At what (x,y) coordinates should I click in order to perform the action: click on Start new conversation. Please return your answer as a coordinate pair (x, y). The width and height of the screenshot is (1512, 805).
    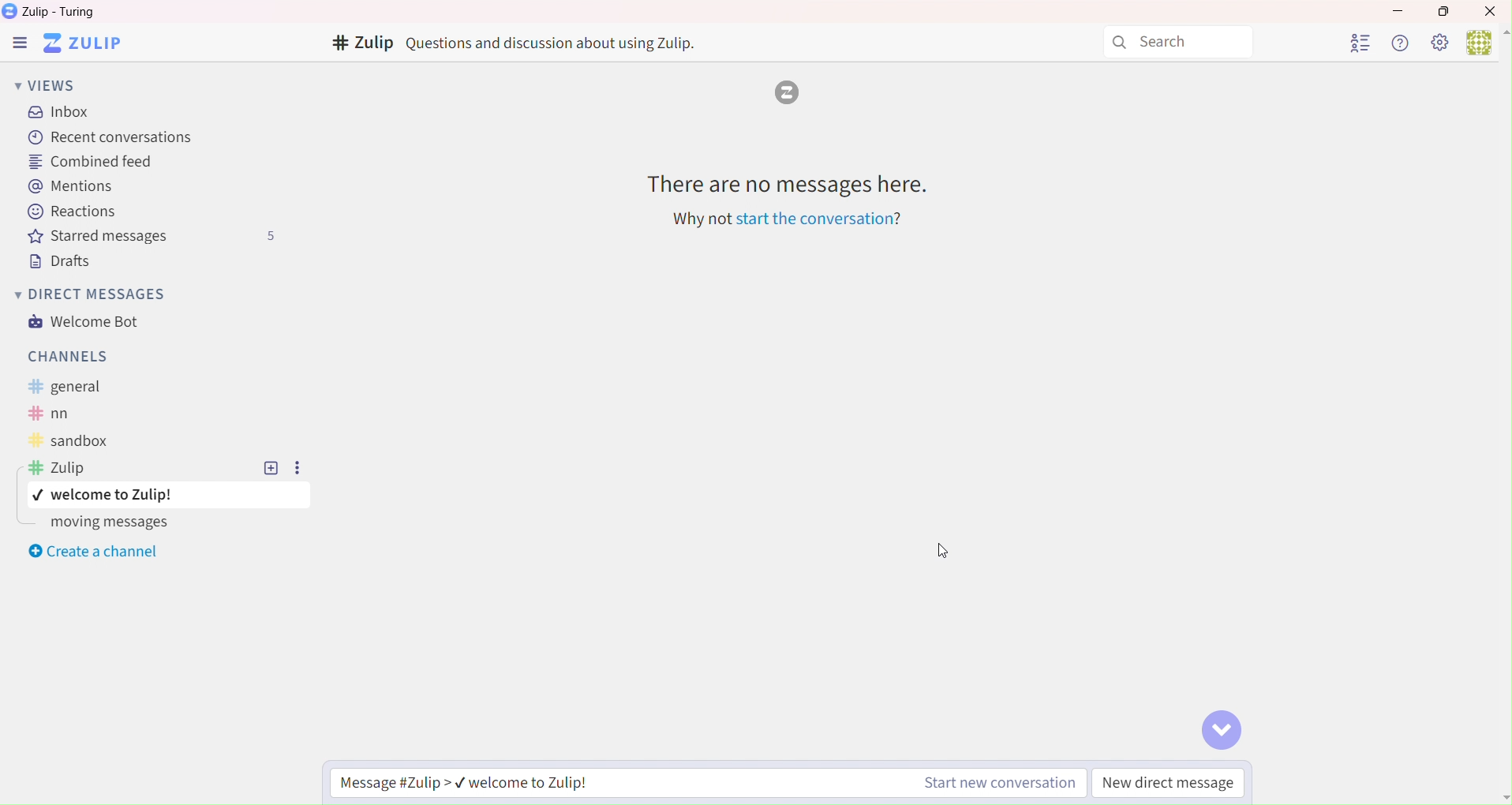
    Looking at the image, I should click on (1001, 783).